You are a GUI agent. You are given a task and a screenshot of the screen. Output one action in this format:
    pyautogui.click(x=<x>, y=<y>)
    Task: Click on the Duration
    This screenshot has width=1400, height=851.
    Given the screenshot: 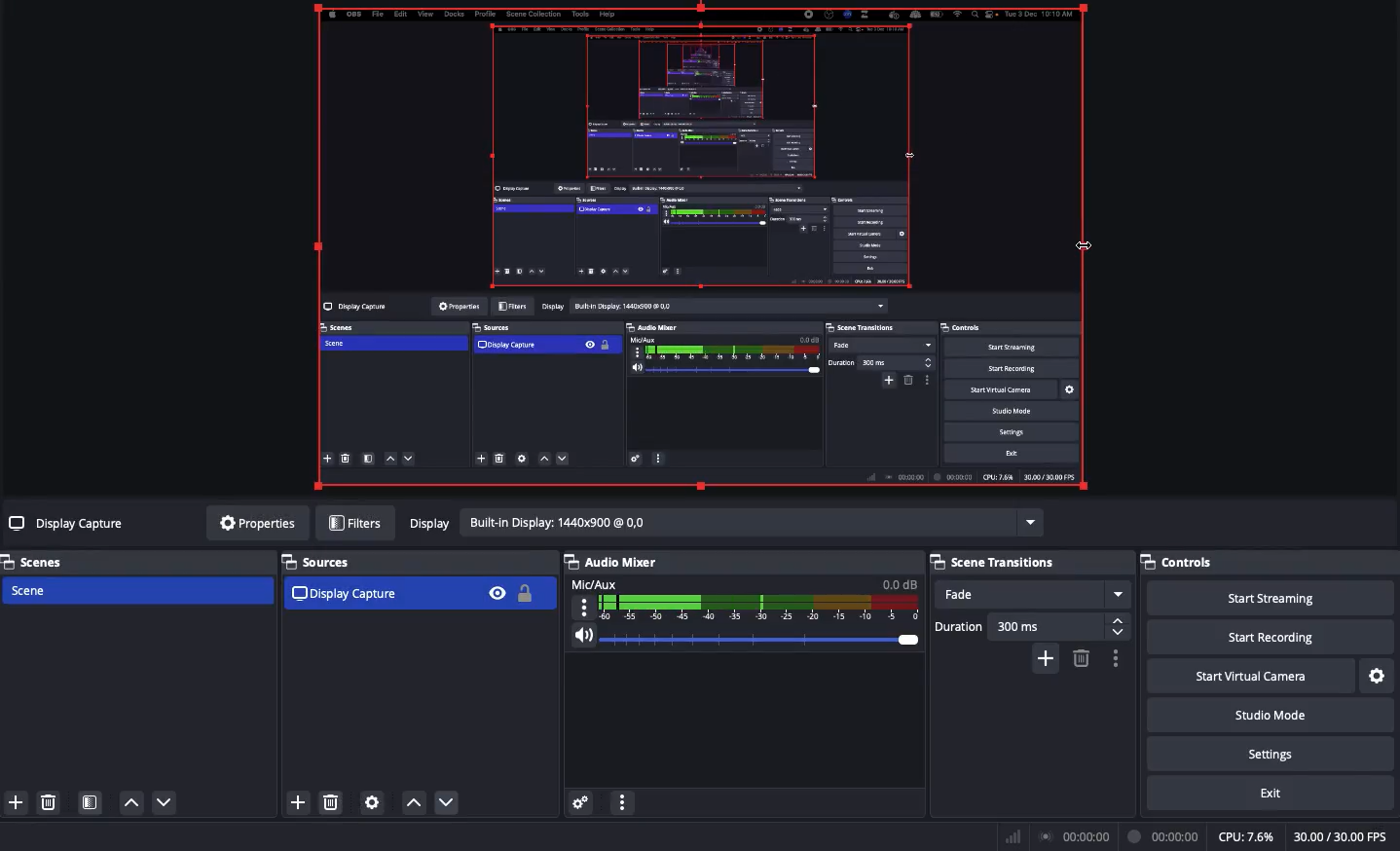 What is the action you would take?
    pyautogui.click(x=1032, y=626)
    